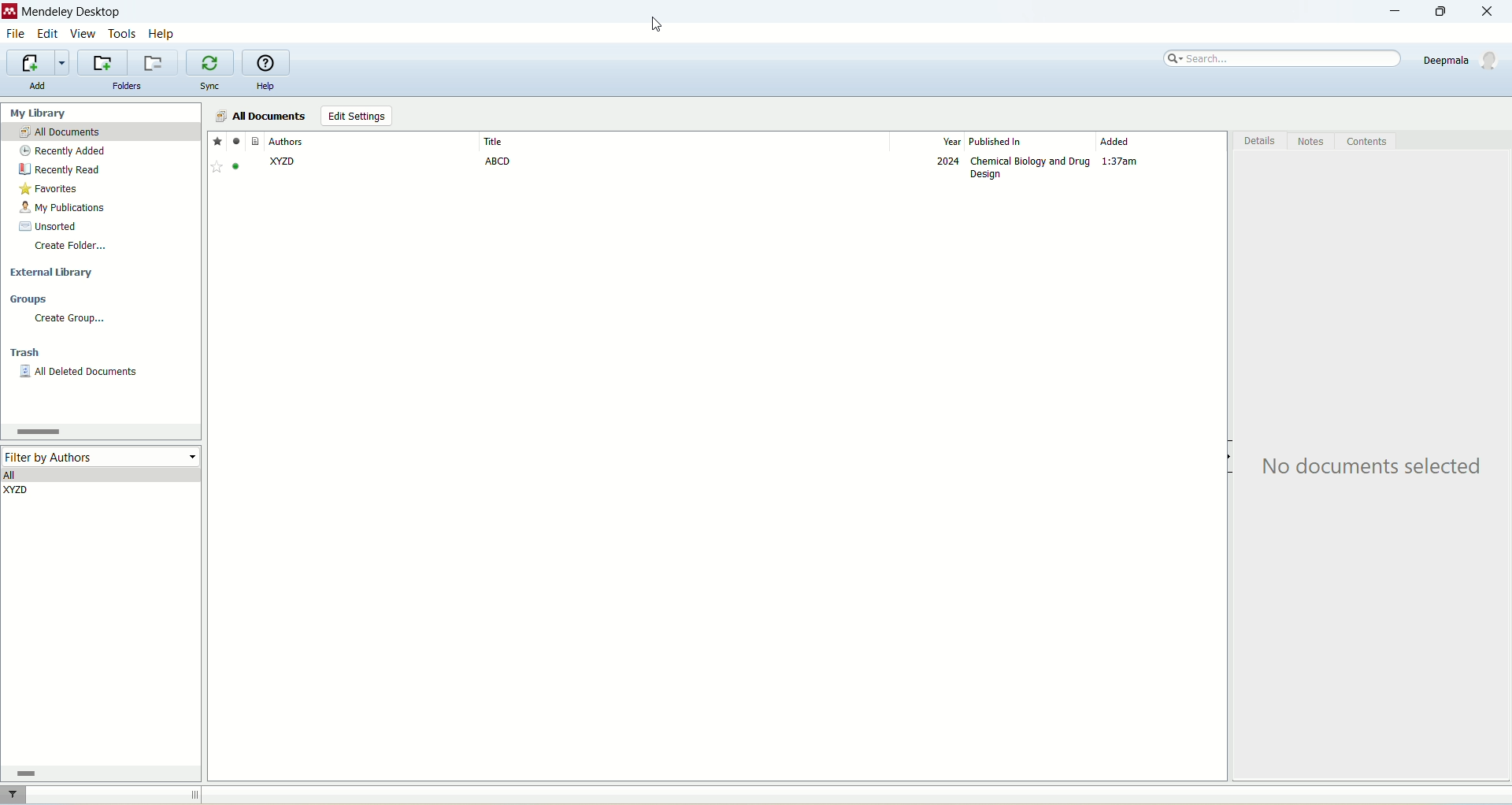 The image size is (1512, 805). Describe the element at coordinates (46, 34) in the screenshot. I see `edit` at that location.